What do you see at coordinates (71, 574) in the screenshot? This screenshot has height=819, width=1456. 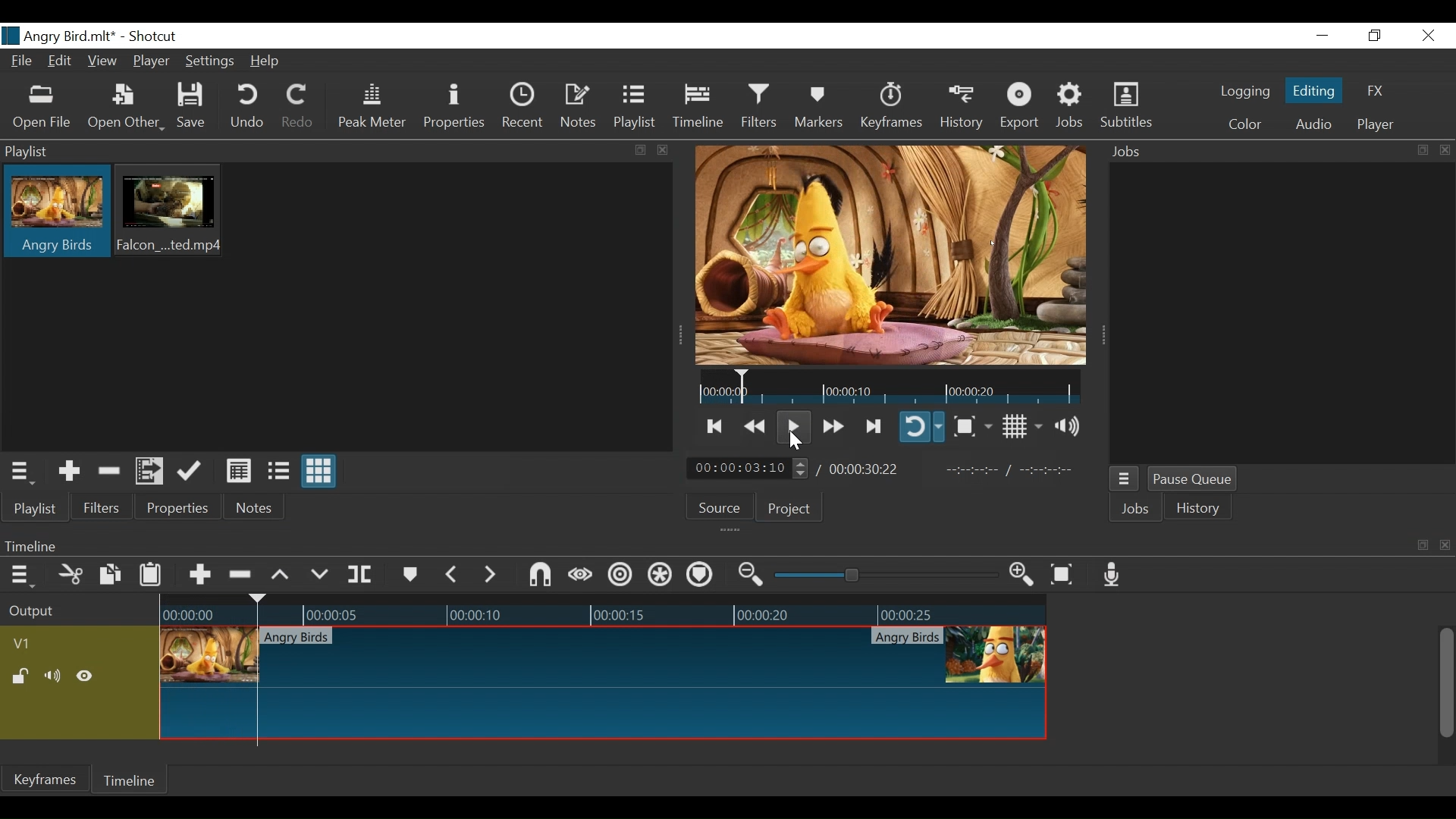 I see `Cut` at bounding box center [71, 574].